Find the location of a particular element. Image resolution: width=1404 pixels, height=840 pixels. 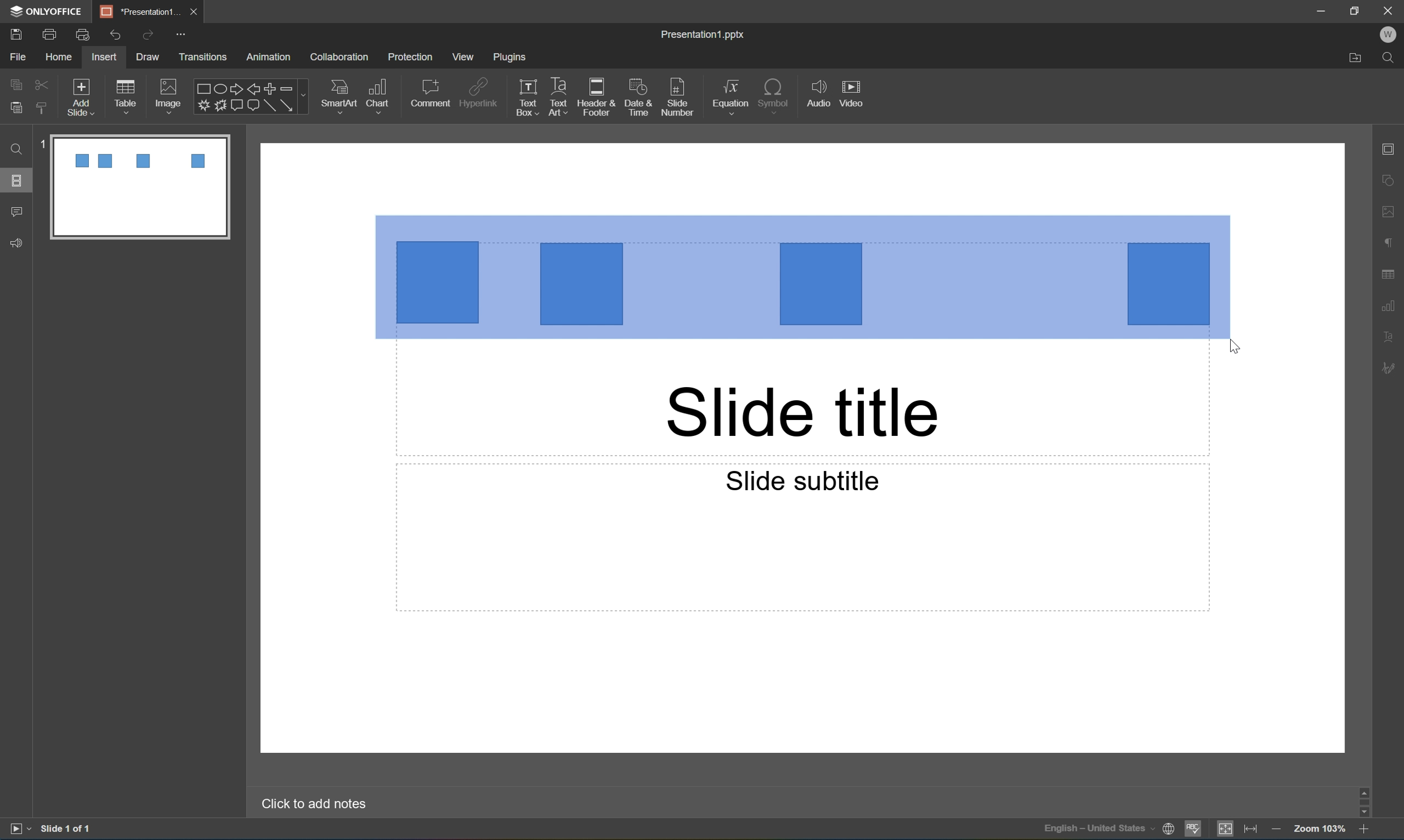

animation is located at coordinates (273, 57).